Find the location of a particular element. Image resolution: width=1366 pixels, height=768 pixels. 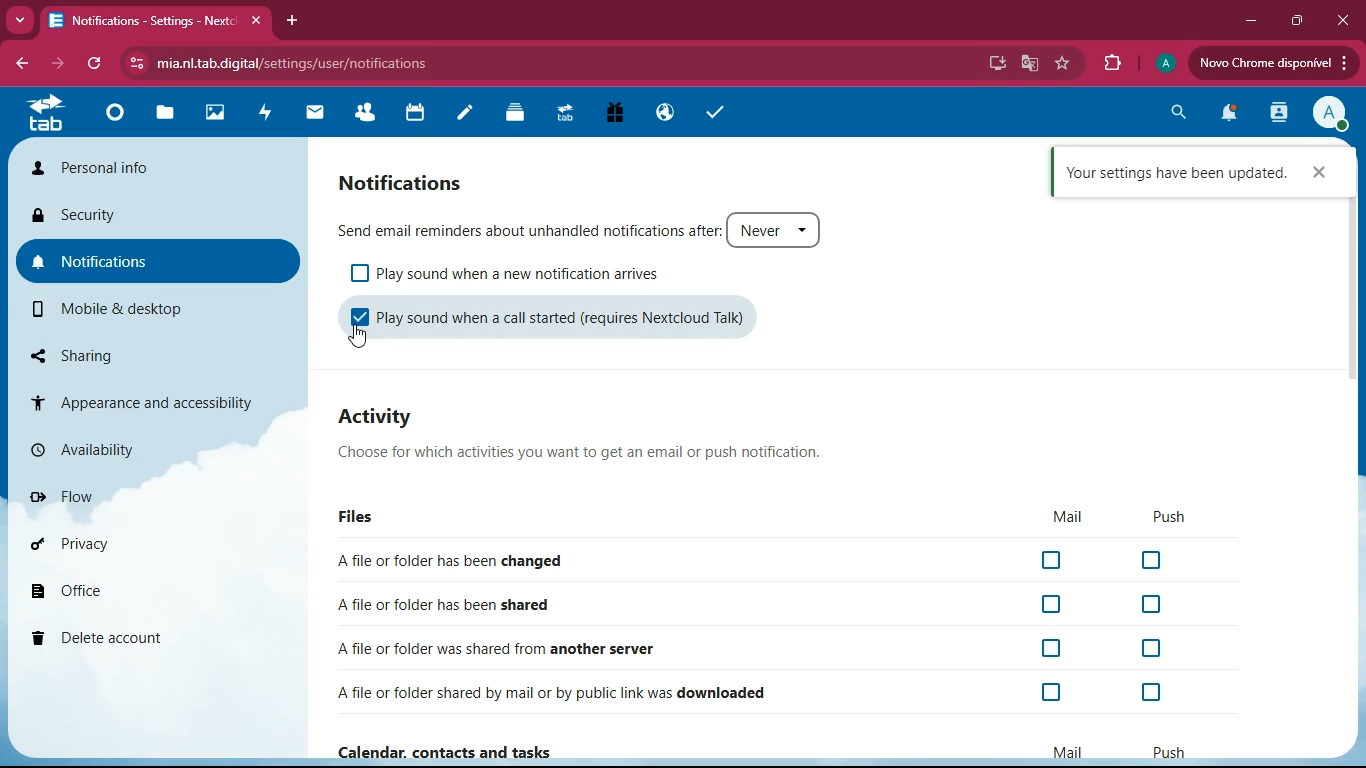

minimize is located at coordinates (1249, 20).